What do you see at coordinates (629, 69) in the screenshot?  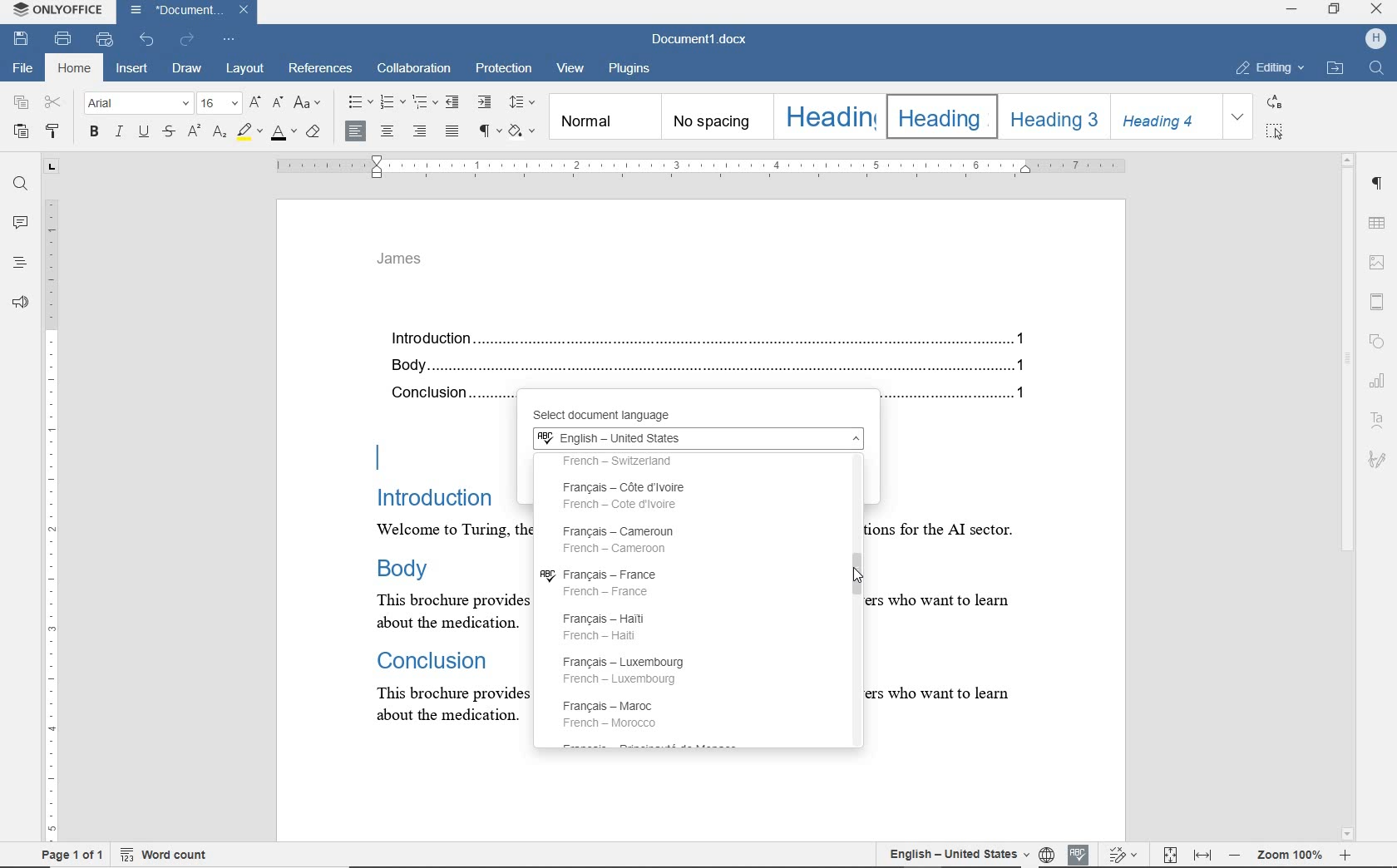 I see `plugins` at bounding box center [629, 69].